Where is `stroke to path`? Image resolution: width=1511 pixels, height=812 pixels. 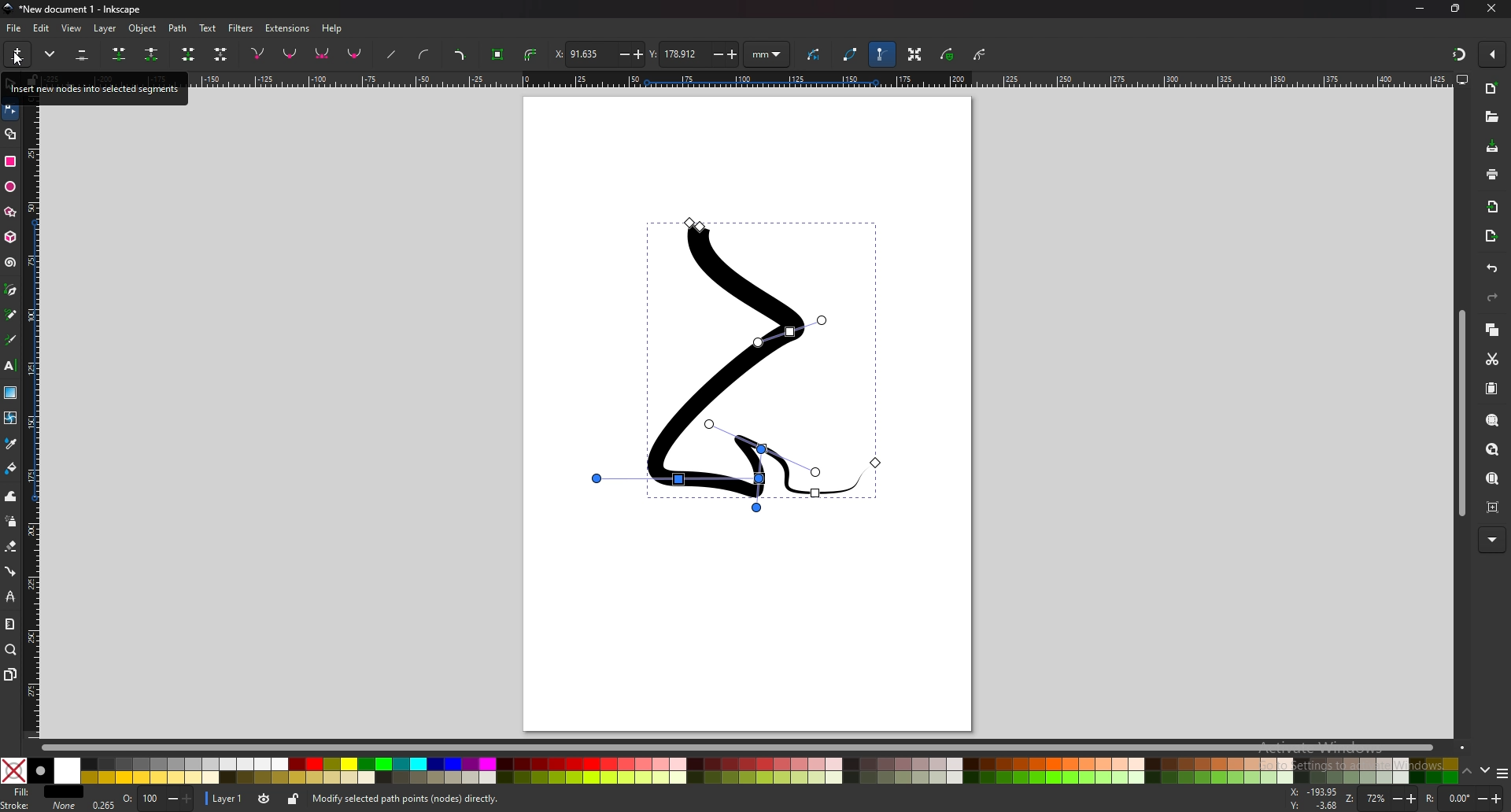
stroke to path is located at coordinates (531, 54).